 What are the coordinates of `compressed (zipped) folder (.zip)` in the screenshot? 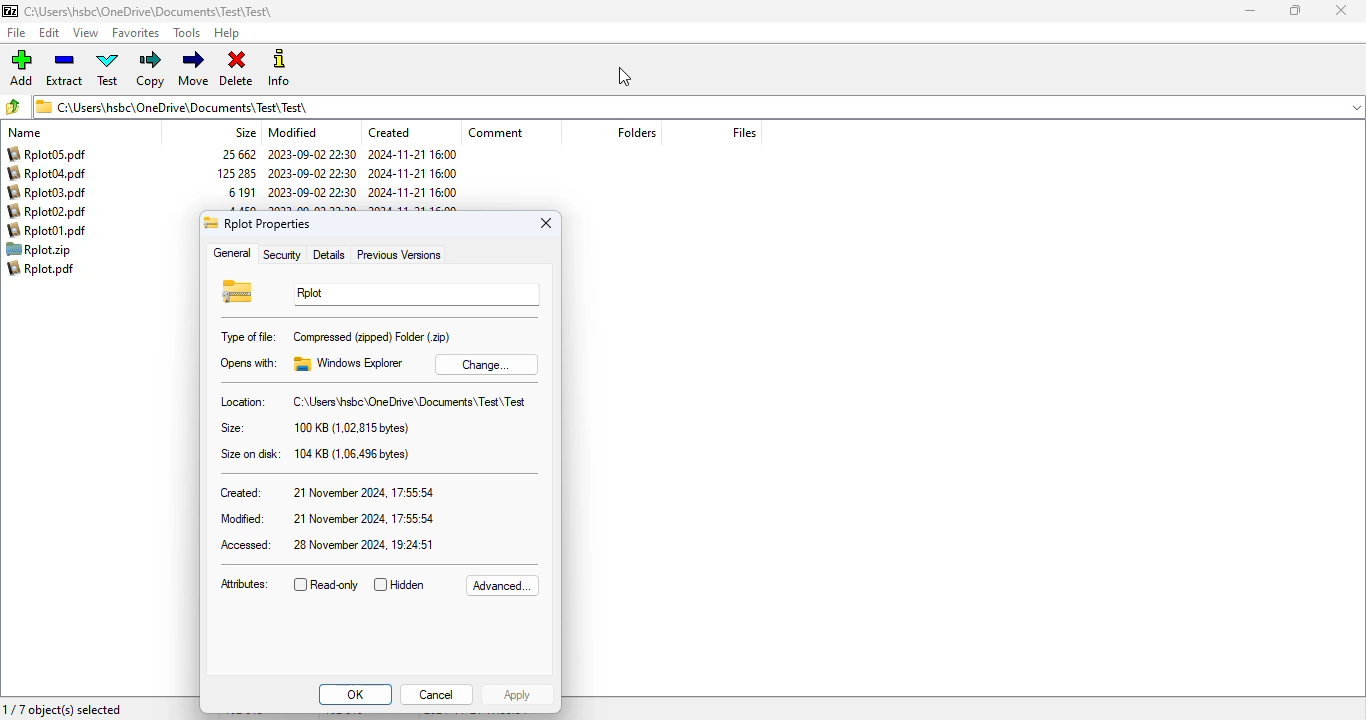 It's located at (373, 337).